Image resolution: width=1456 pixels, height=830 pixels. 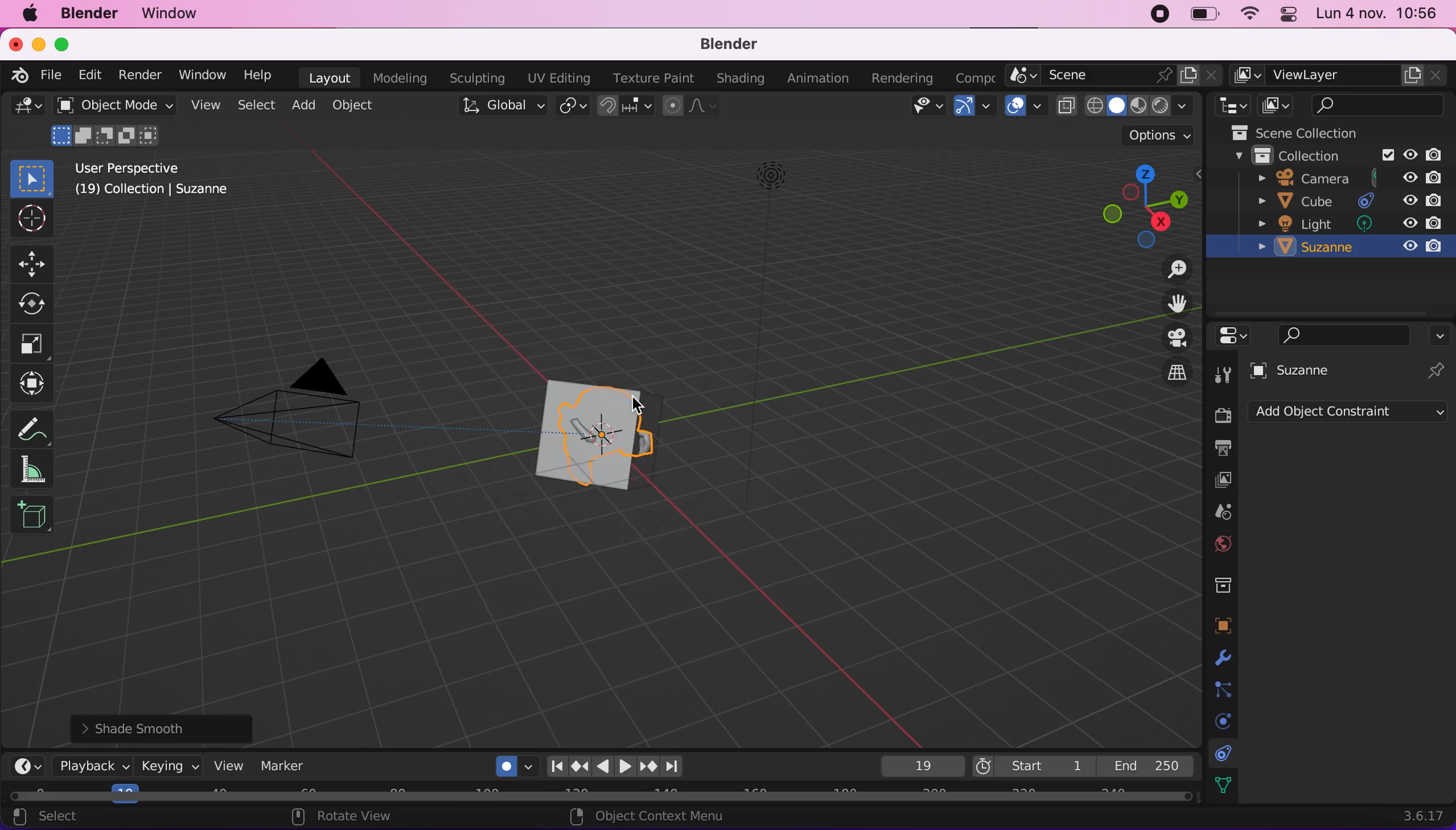 What do you see at coordinates (38, 344) in the screenshot?
I see `scale` at bounding box center [38, 344].